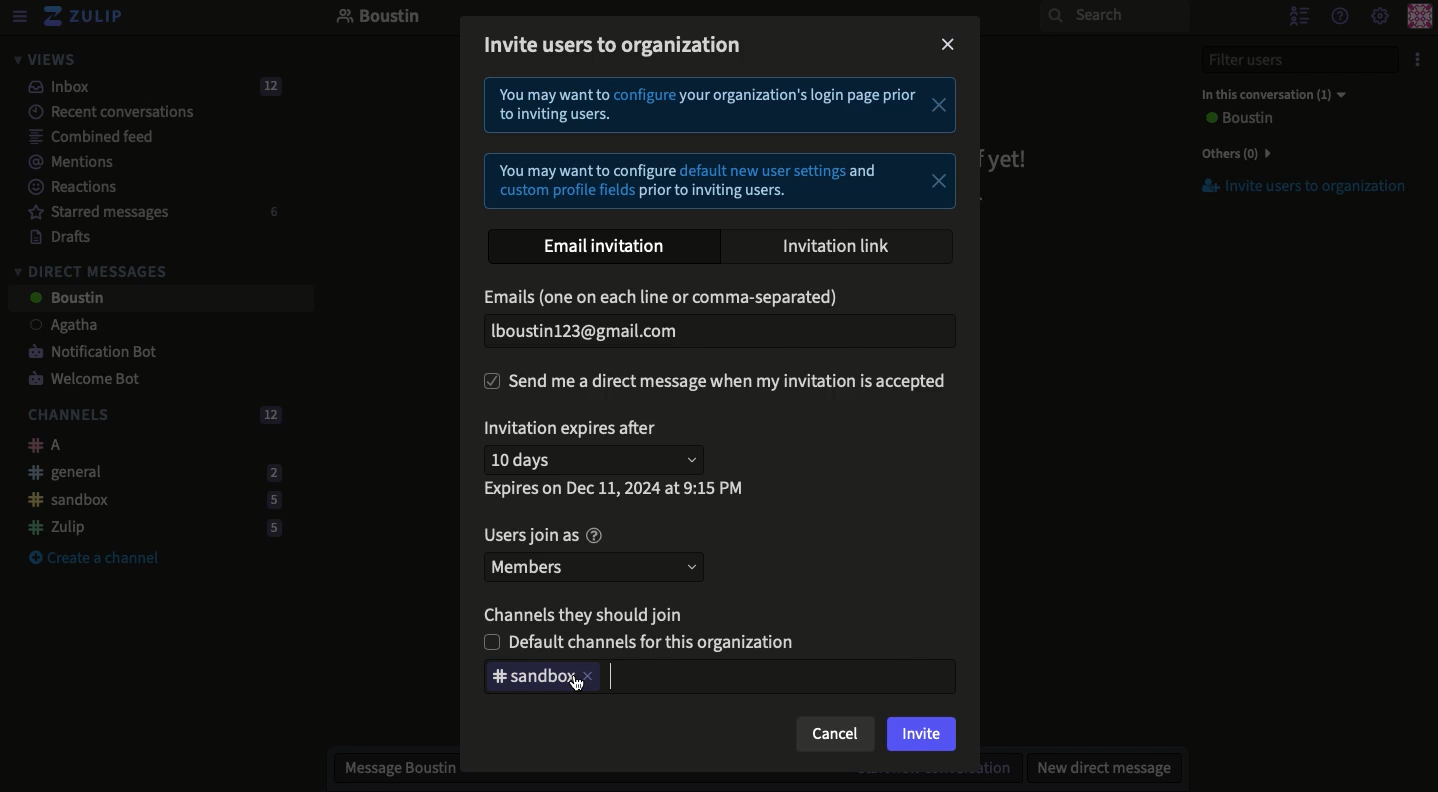 The height and width of the screenshot is (792, 1438). I want to click on Profile, so click(1419, 18).